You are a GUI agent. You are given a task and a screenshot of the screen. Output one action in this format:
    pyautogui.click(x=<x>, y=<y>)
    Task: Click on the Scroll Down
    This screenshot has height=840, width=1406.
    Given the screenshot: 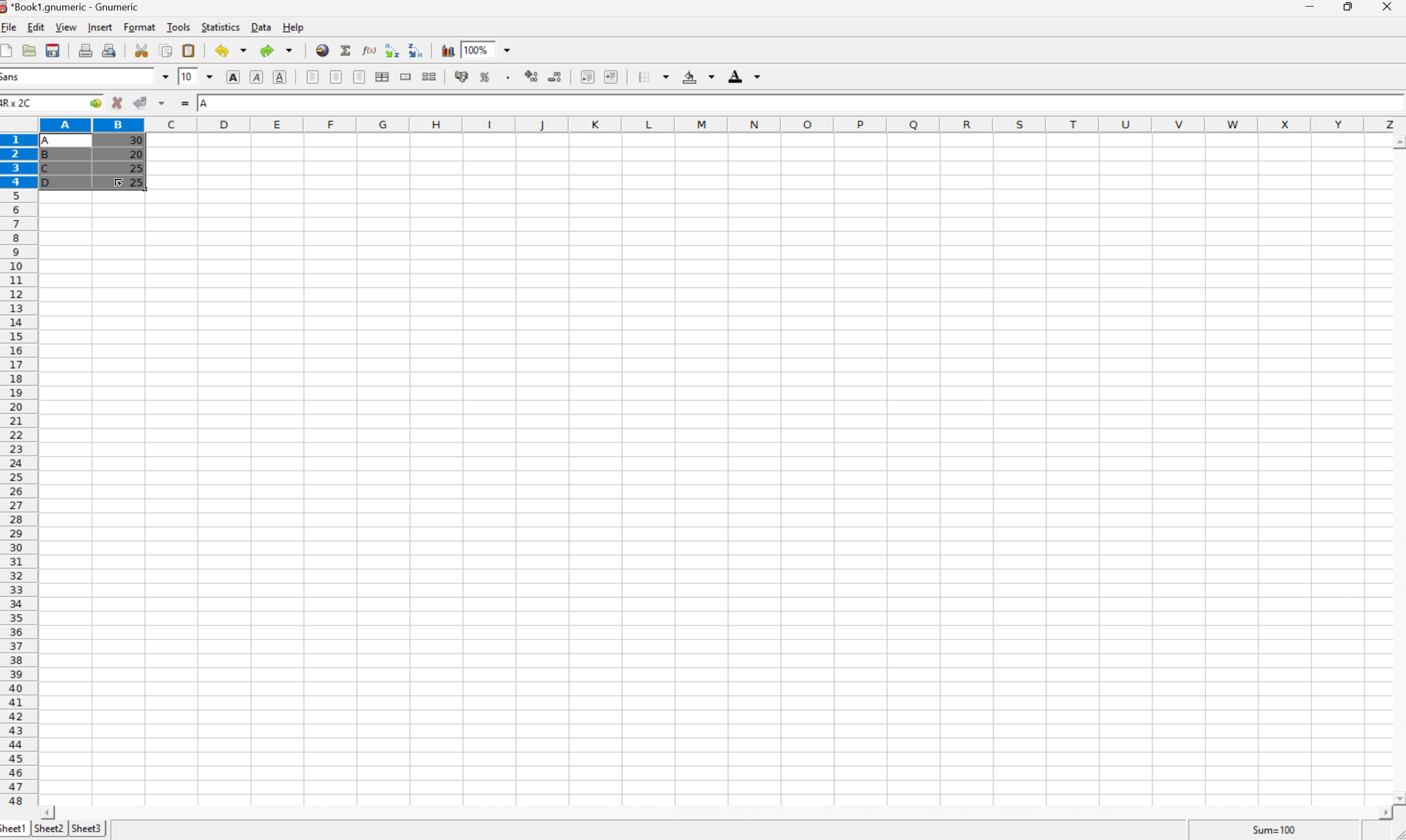 What is the action you would take?
    pyautogui.click(x=1397, y=797)
    